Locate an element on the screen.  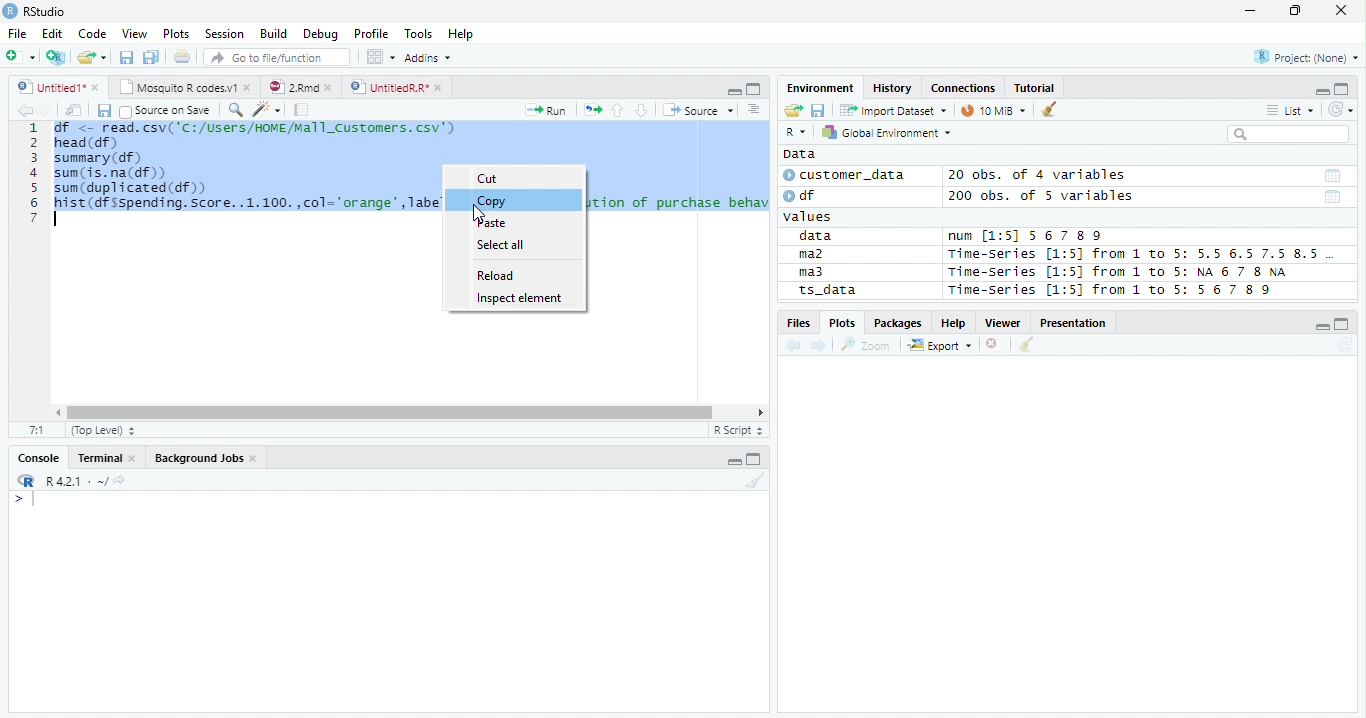
Clean is located at coordinates (755, 482).